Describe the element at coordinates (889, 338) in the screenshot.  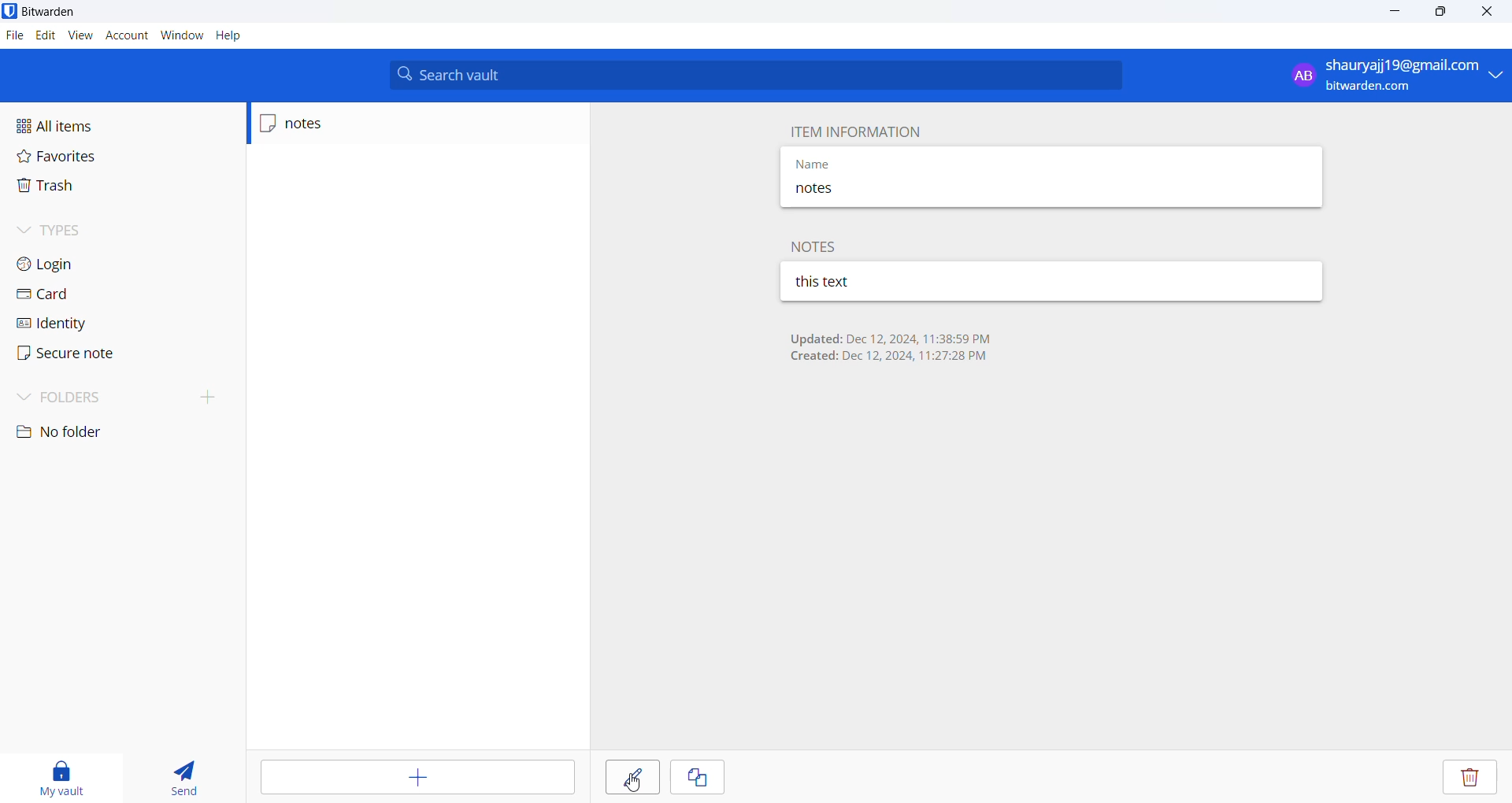
I see `updated: Dec 12, 2024 11:38:59 PM` at that location.